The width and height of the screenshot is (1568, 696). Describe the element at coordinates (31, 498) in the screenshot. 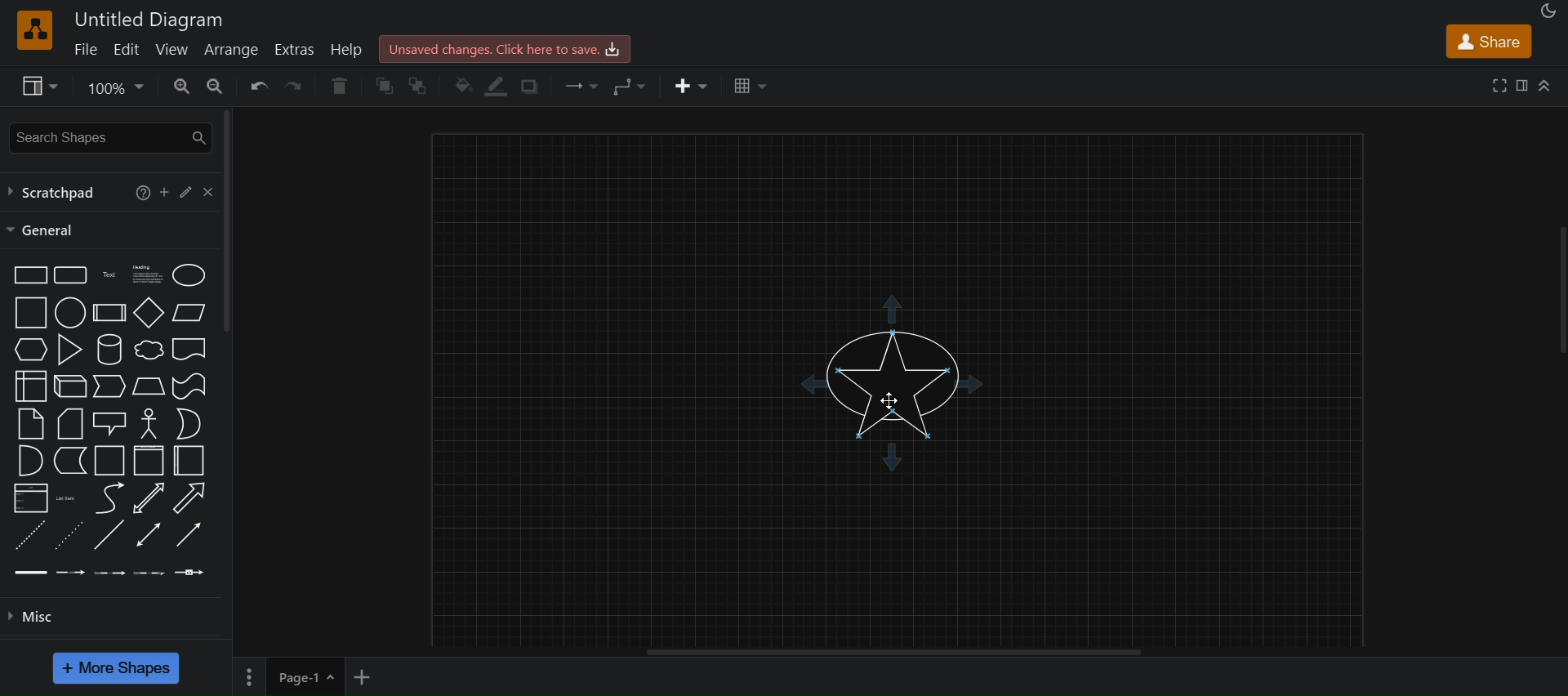

I see `list` at that location.